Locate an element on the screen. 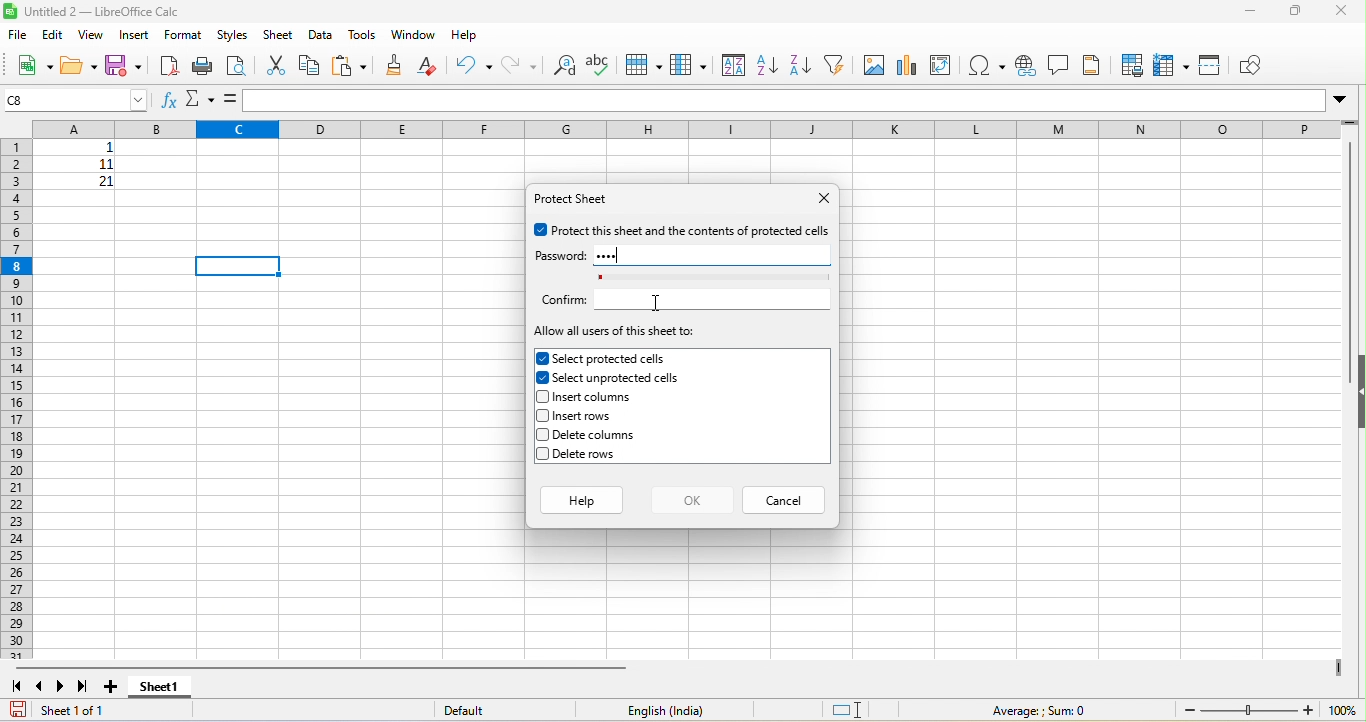 The width and height of the screenshot is (1366, 722). insert columns is located at coordinates (608, 395).